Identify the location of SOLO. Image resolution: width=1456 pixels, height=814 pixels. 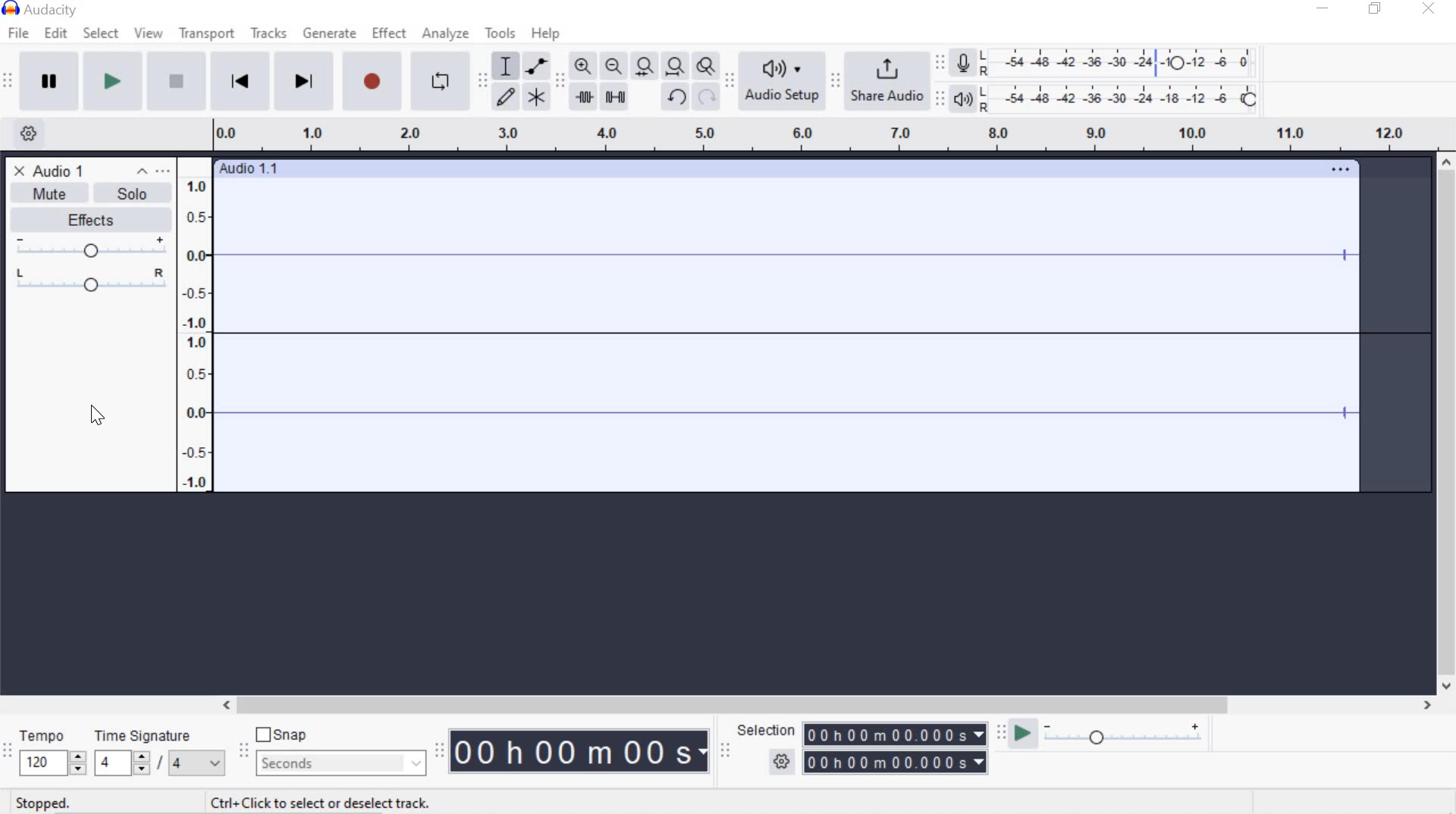
(128, 193).